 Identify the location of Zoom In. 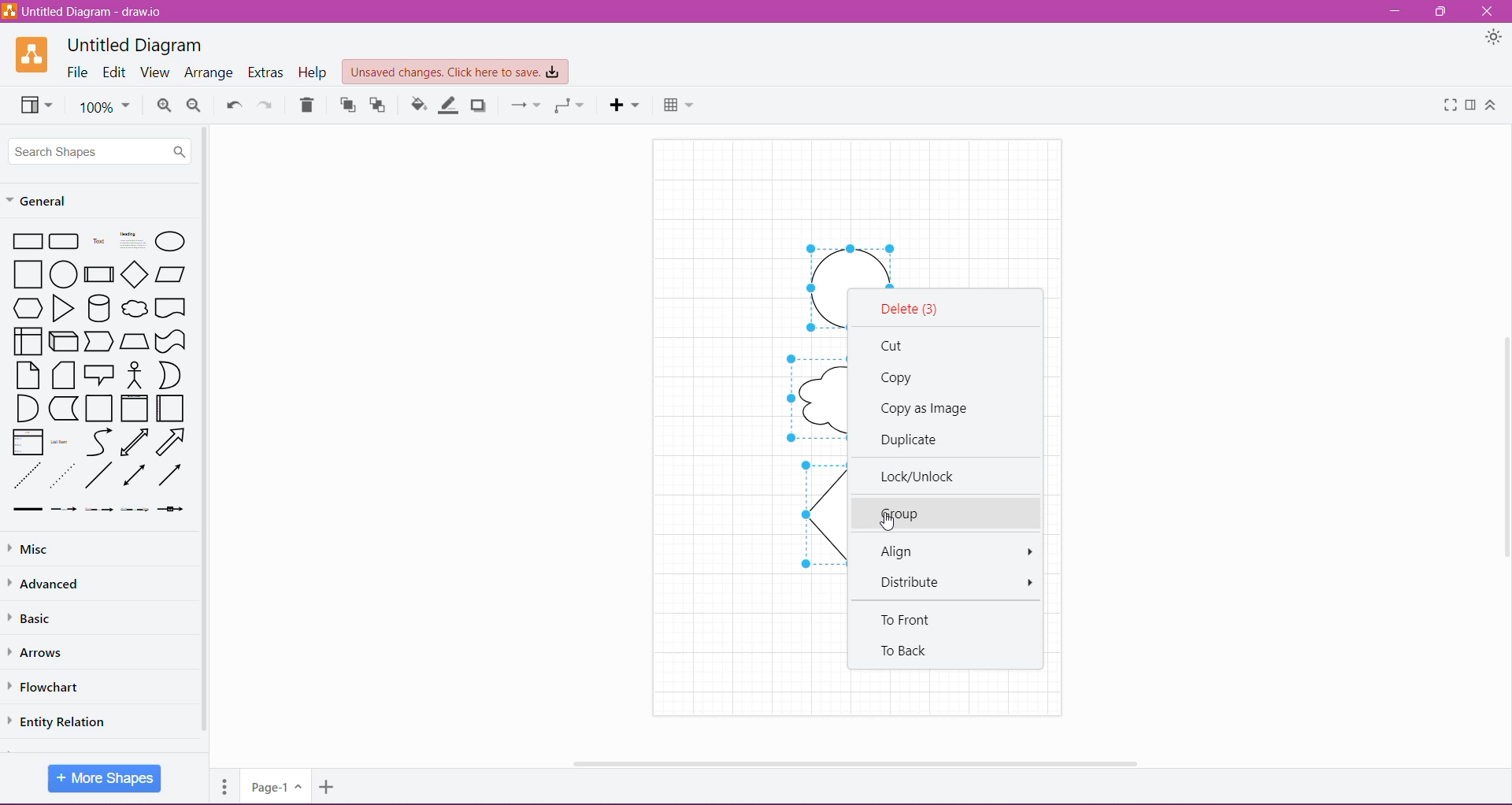
(164, 106).